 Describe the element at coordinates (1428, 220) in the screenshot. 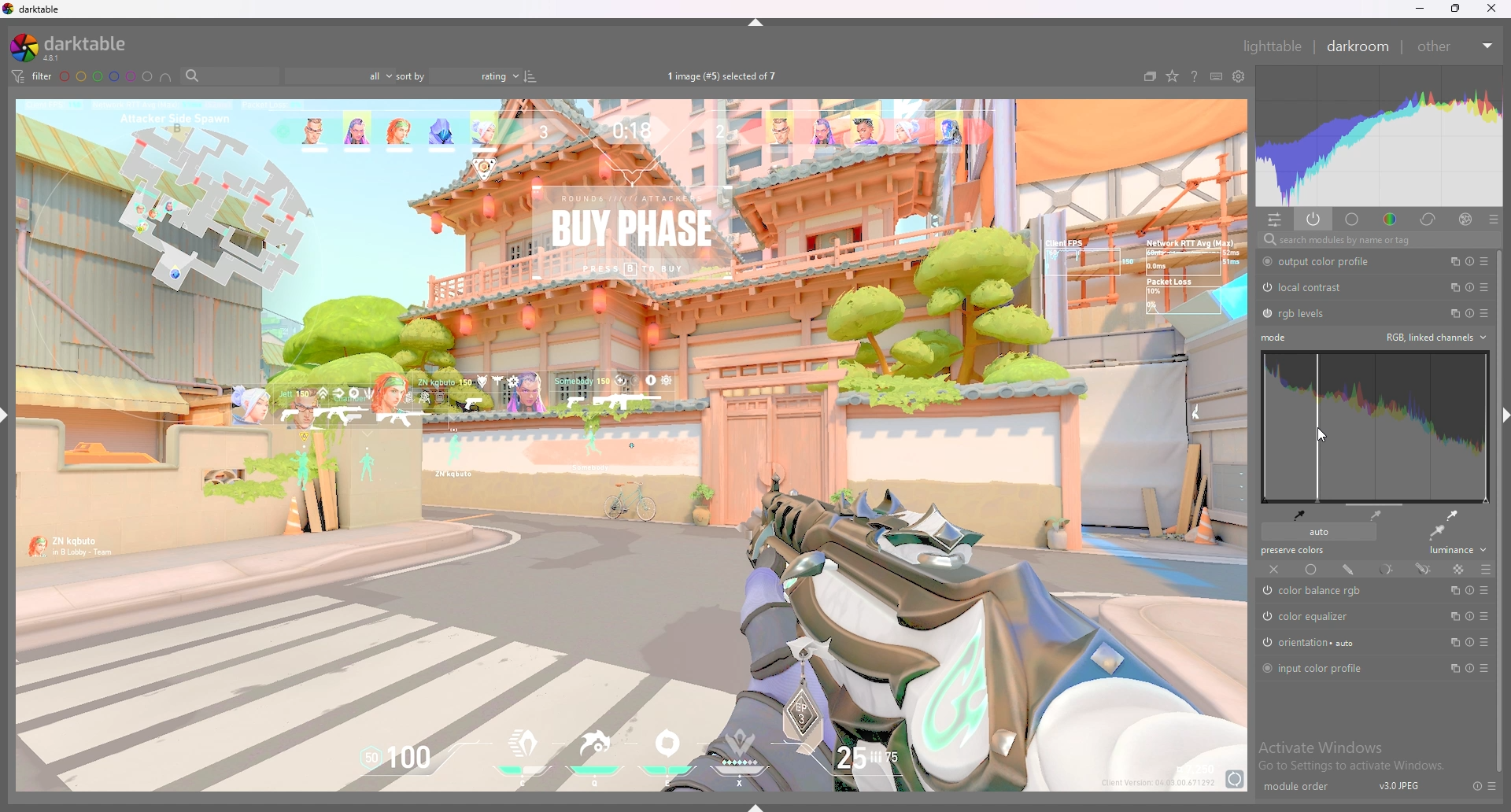

I see `correct` at that location.